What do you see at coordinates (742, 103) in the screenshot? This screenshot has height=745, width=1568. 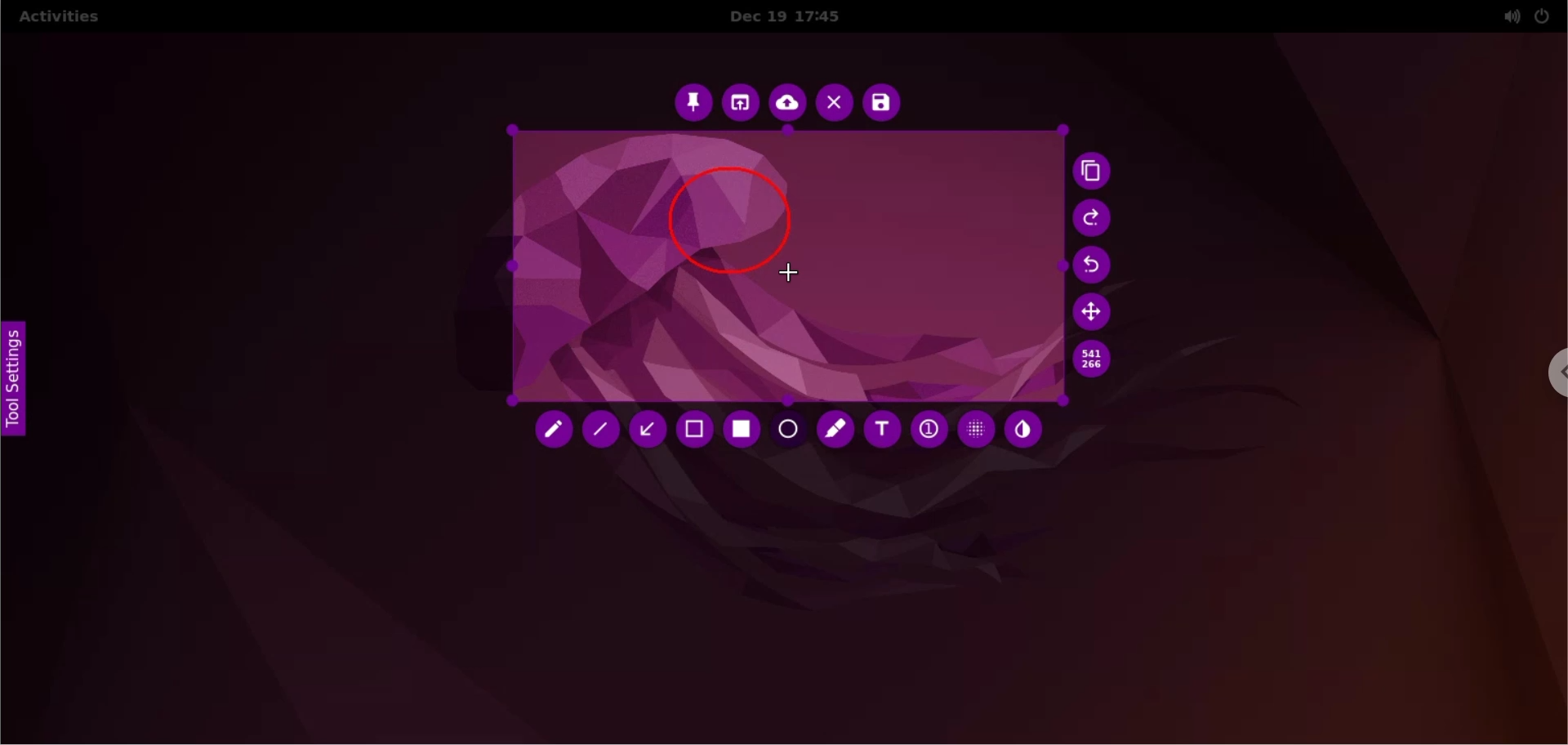 I see `choose app to open screenshot` at bounding box center [742, 103].